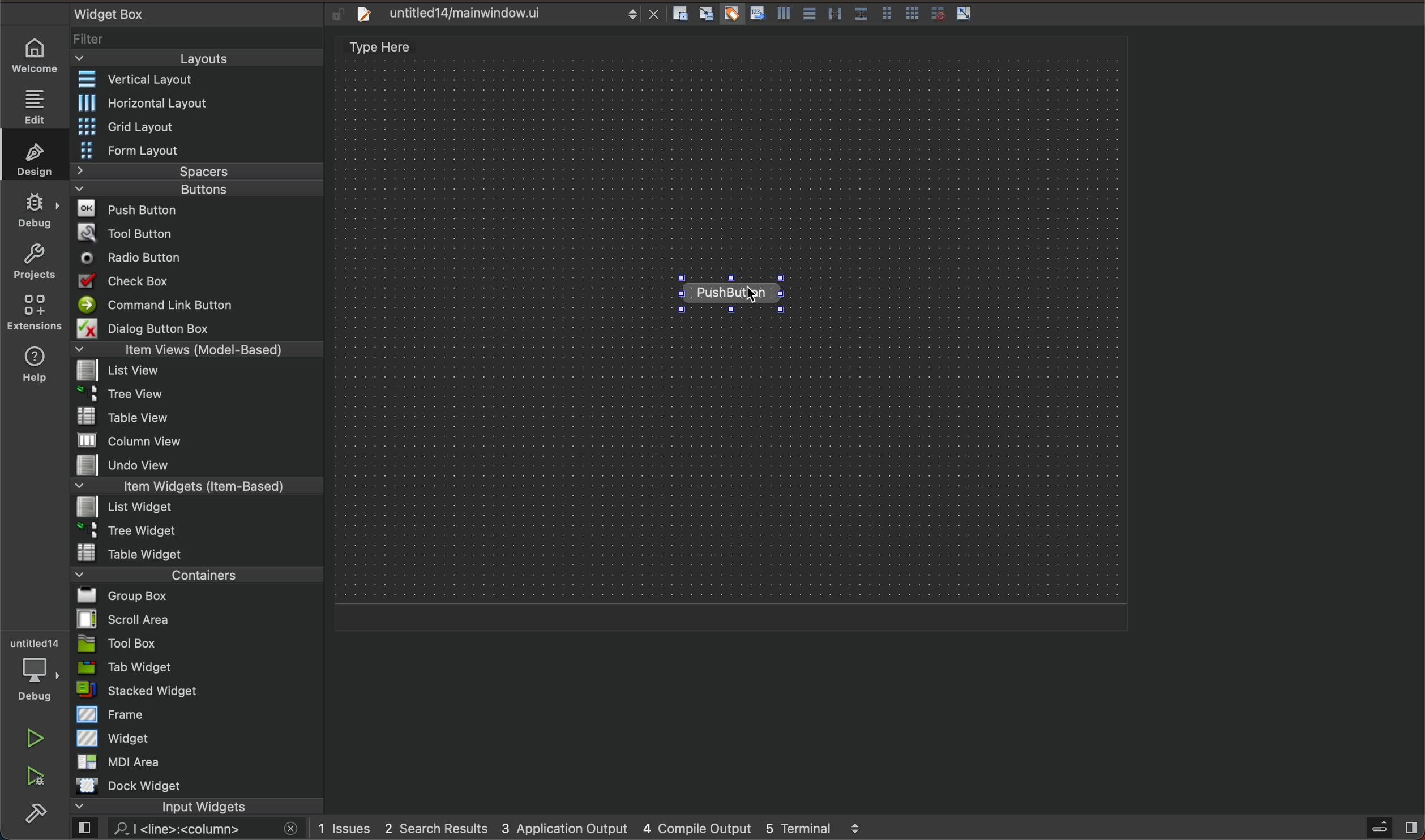 This screenshot has height=840, width=1425. I want to click on issues, so click(348, 827).